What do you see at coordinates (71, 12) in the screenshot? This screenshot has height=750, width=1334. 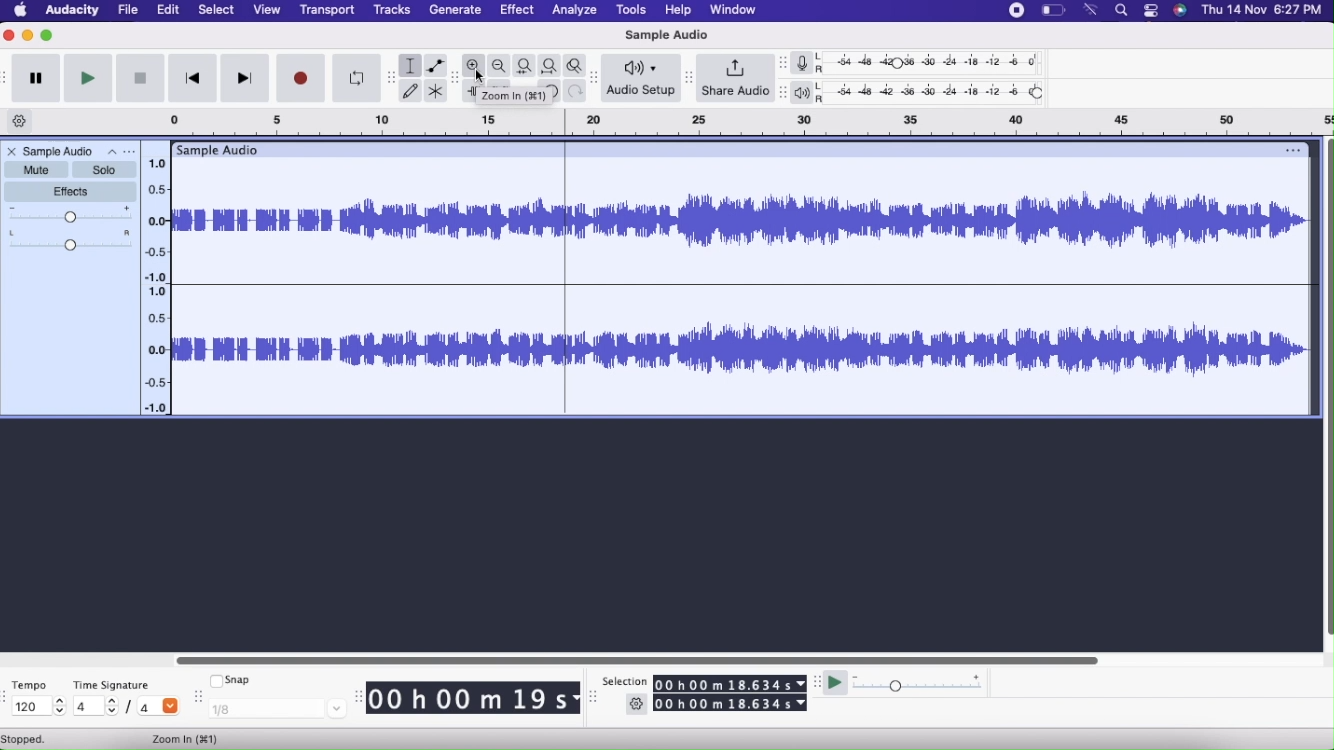 I see `Audacity` at bounding box center [71, 12].